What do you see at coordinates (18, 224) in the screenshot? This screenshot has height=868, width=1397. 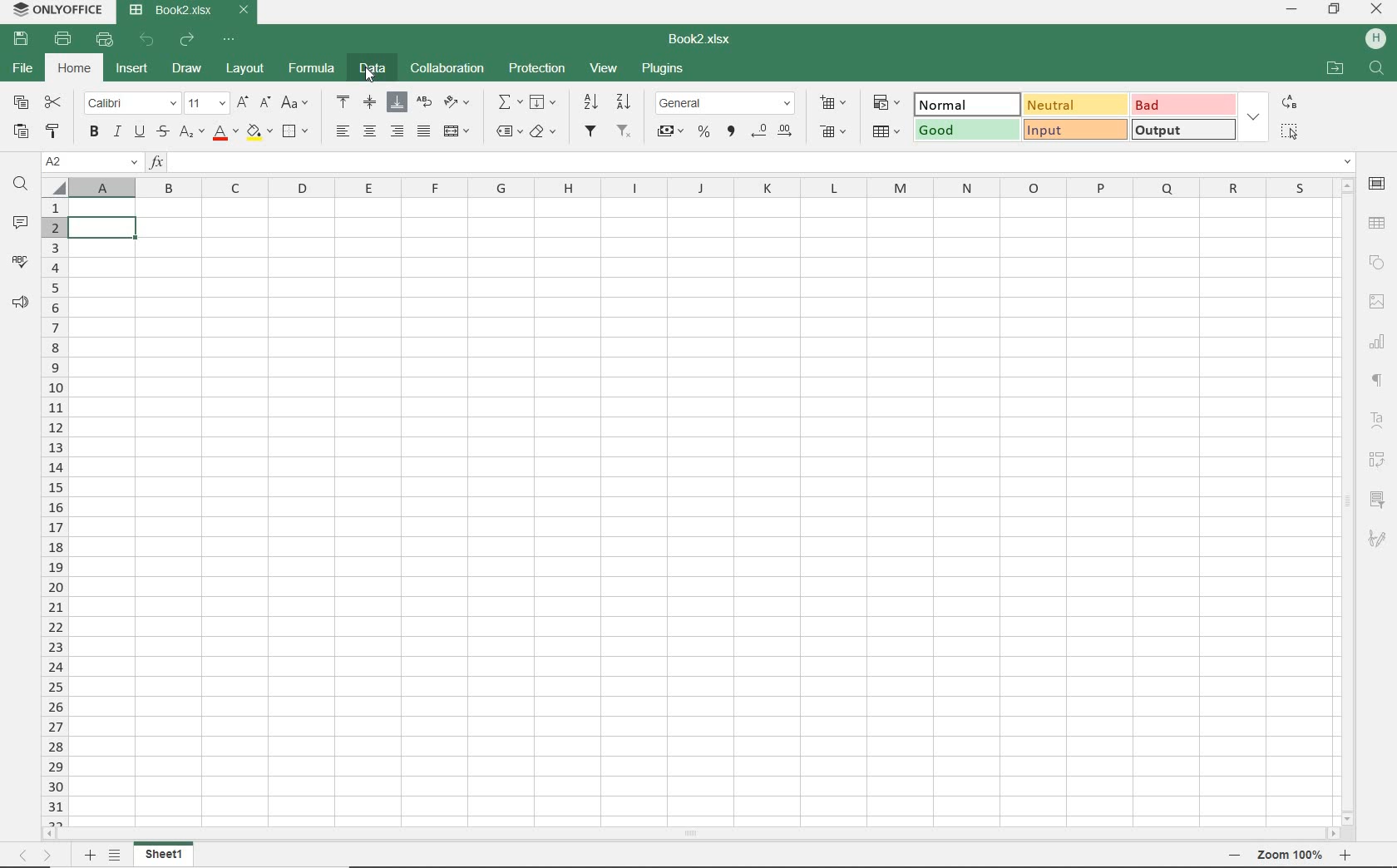 I see `COMMENTS` at bounding box center [18, 224].